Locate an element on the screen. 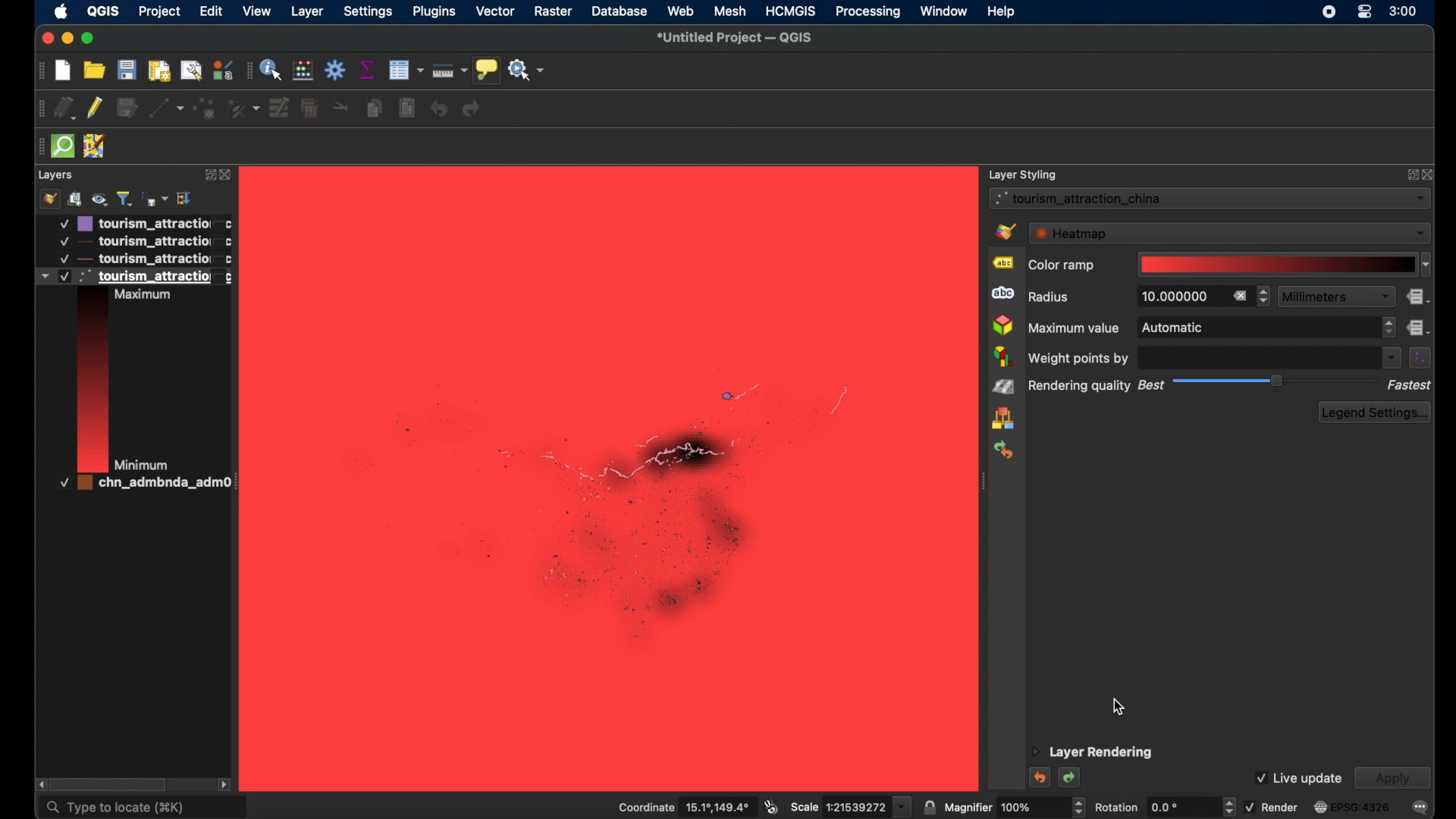 This screenshot has height=819, width=1456. view is located at coordinates (259, 12).